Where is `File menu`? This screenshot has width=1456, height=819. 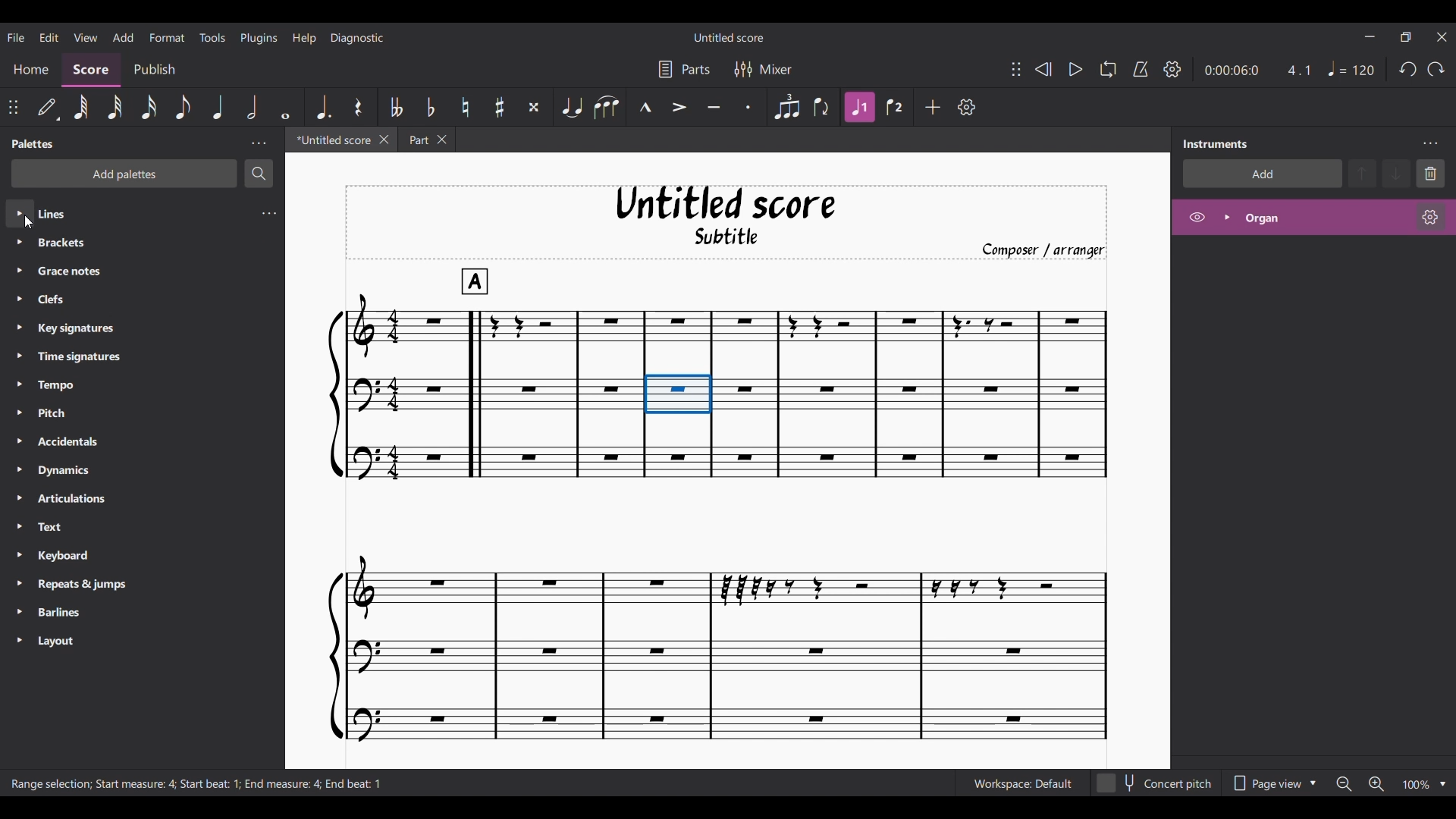
File menu is located at coordinates (16, 36).